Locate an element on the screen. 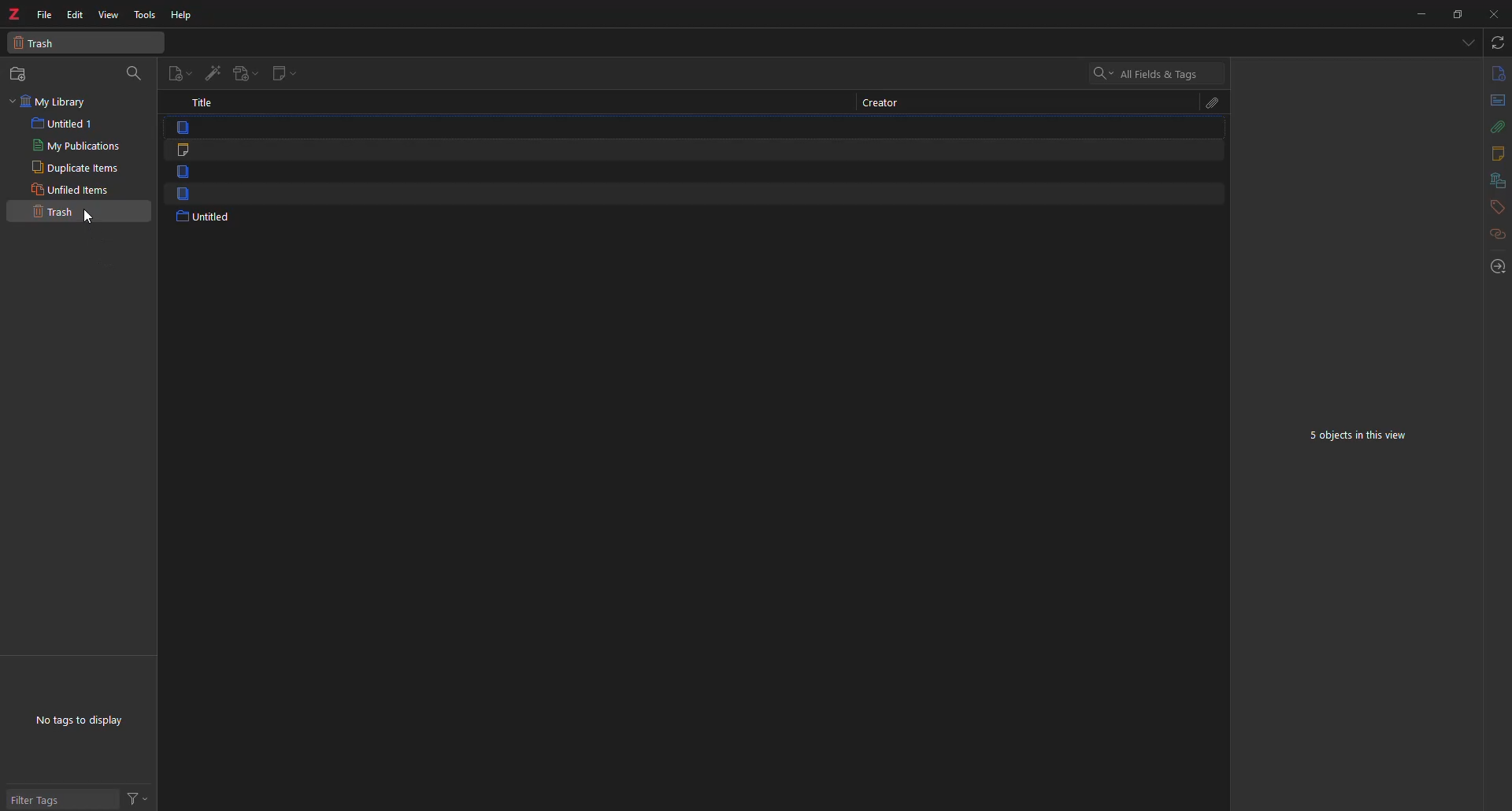 The height and width of the screenshot is (811, 1512). filter tags is located at coordinates (47, 798).